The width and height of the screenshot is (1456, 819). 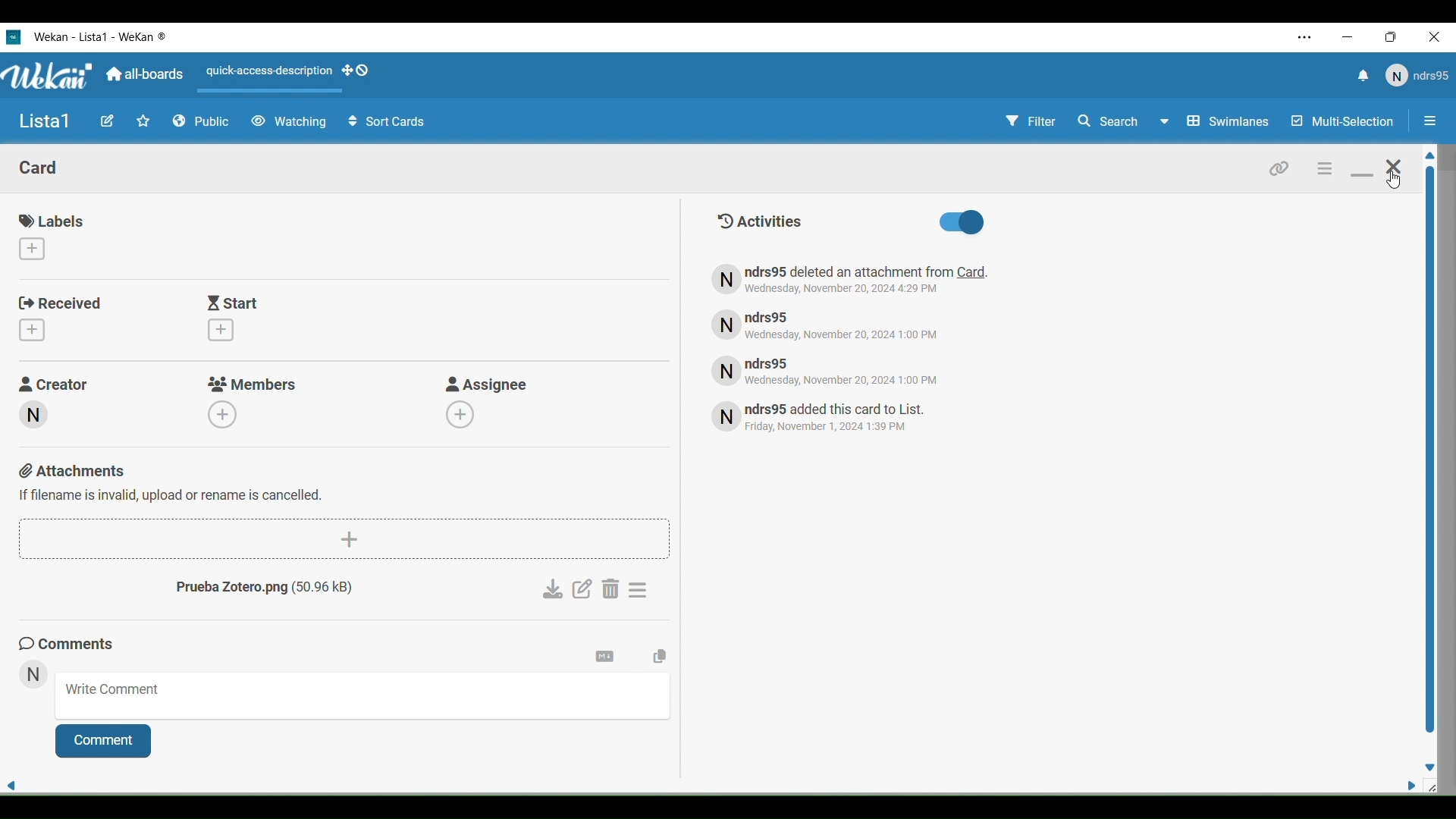 What do you see at coordinates (146, 74) in the screenshot?
I see `All Boards` at bounding box center [146, 74].